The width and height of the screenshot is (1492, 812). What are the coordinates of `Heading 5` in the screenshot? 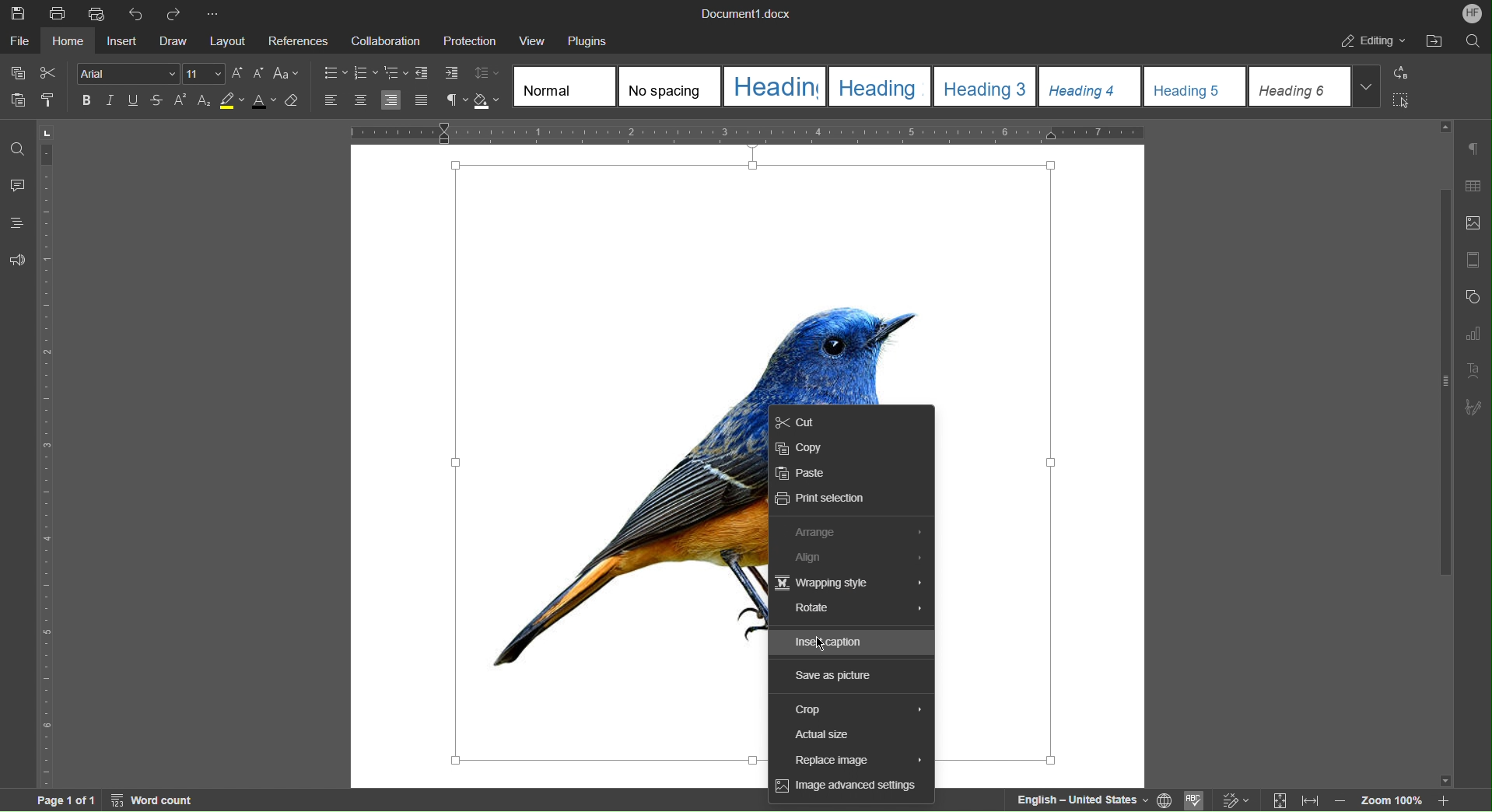 It's located at (1196, 86).